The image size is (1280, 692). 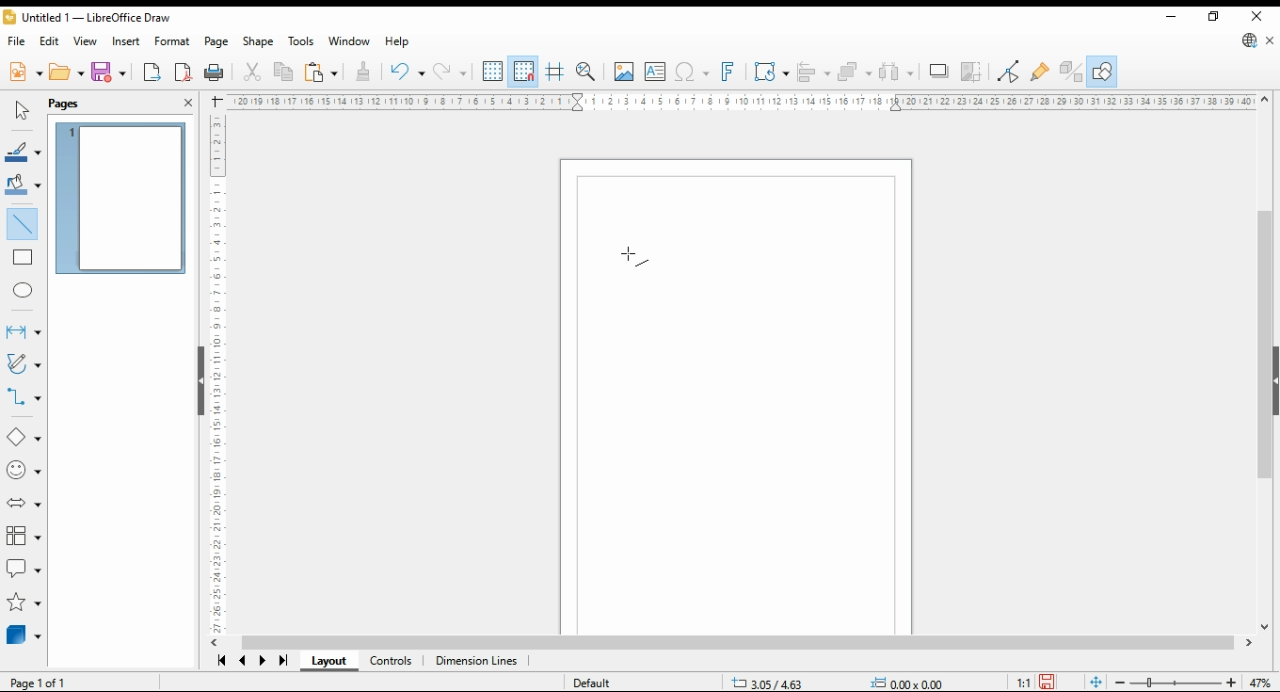 What do you see at coordinates (477, 661) in the screenshot?
I see `dimensions` at bounding box center [477, 661].